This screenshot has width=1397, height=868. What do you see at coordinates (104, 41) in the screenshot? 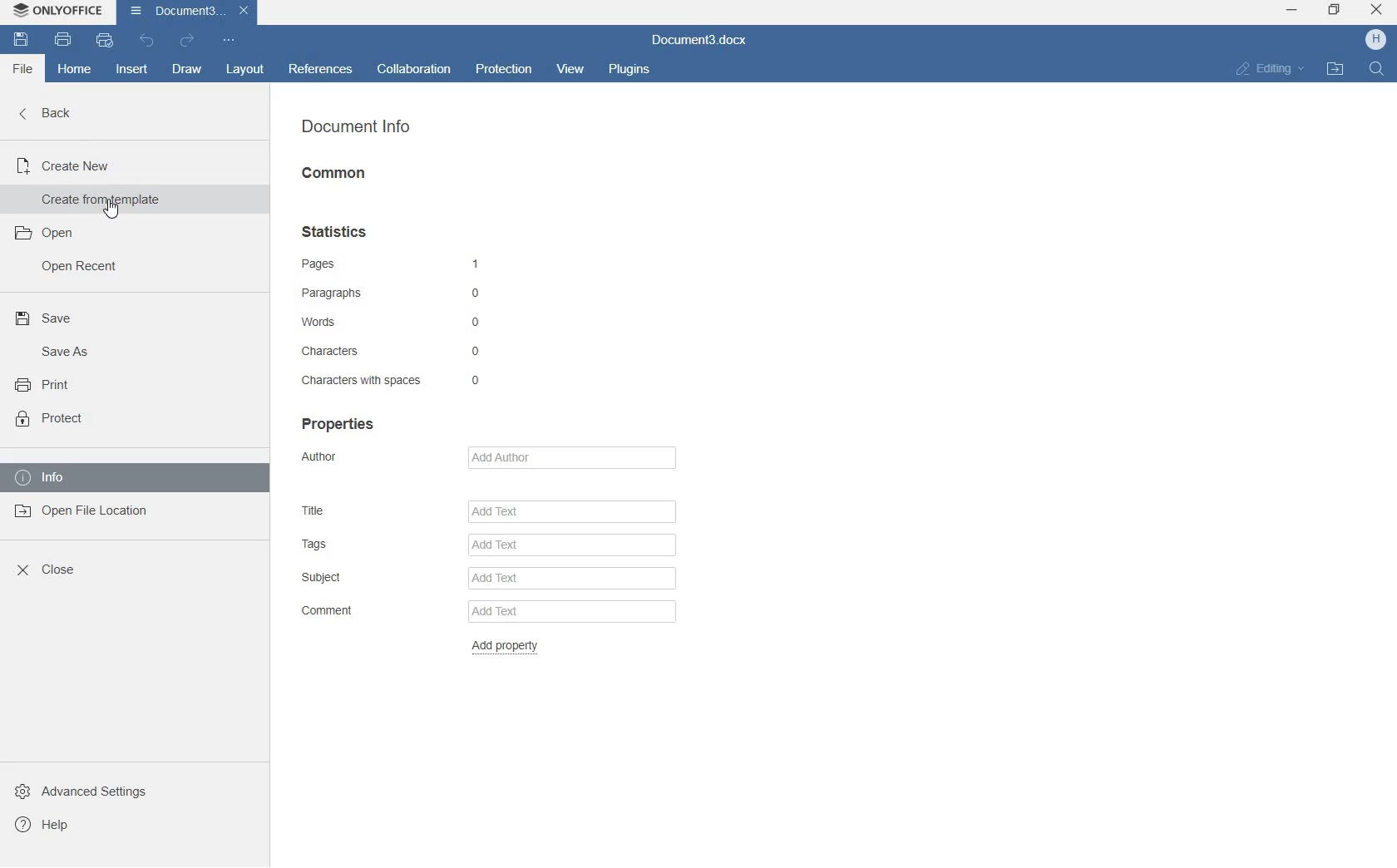
I see `quick print` at bounding box center [104, 41].